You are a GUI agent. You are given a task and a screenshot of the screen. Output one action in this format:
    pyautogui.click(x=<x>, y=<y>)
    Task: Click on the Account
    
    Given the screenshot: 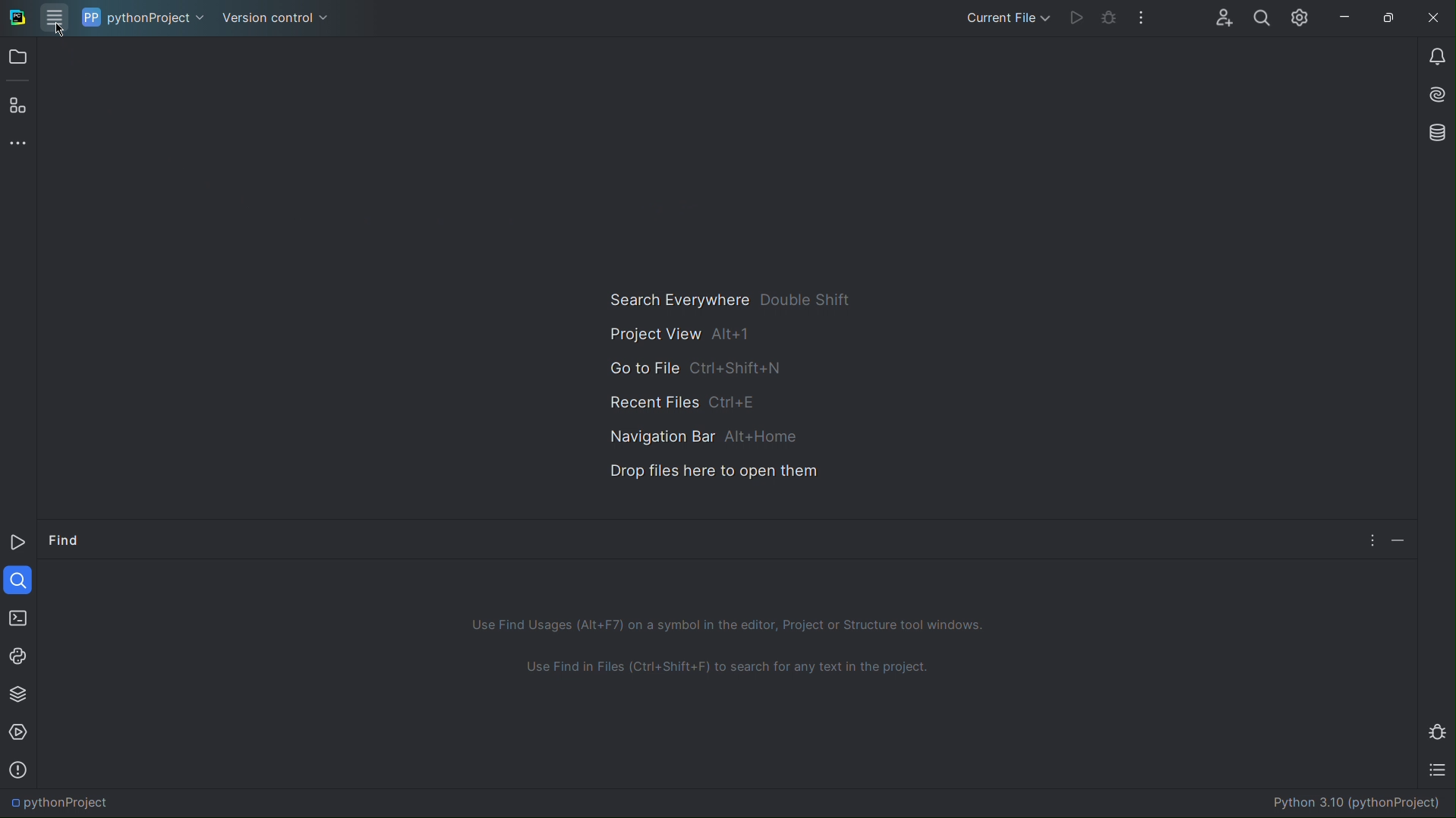 What is the action you would take?
    pyautogui.click(x=1222, y=16)
    